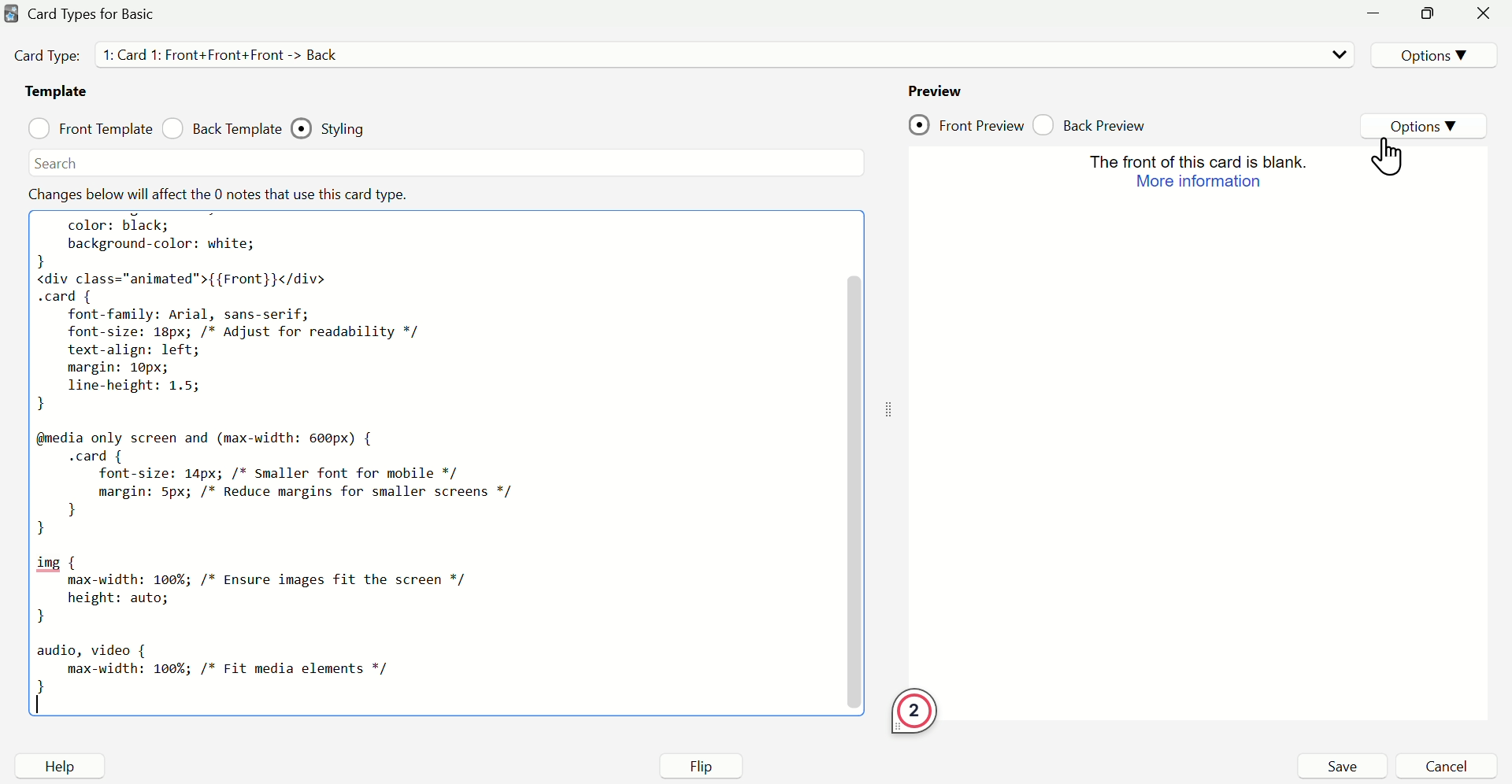 This screenshot has width=1512, height=784. What do you see at coordinates (90, 128) in the screenshot?
I see `Front Template` at bounding box center [90, 128].